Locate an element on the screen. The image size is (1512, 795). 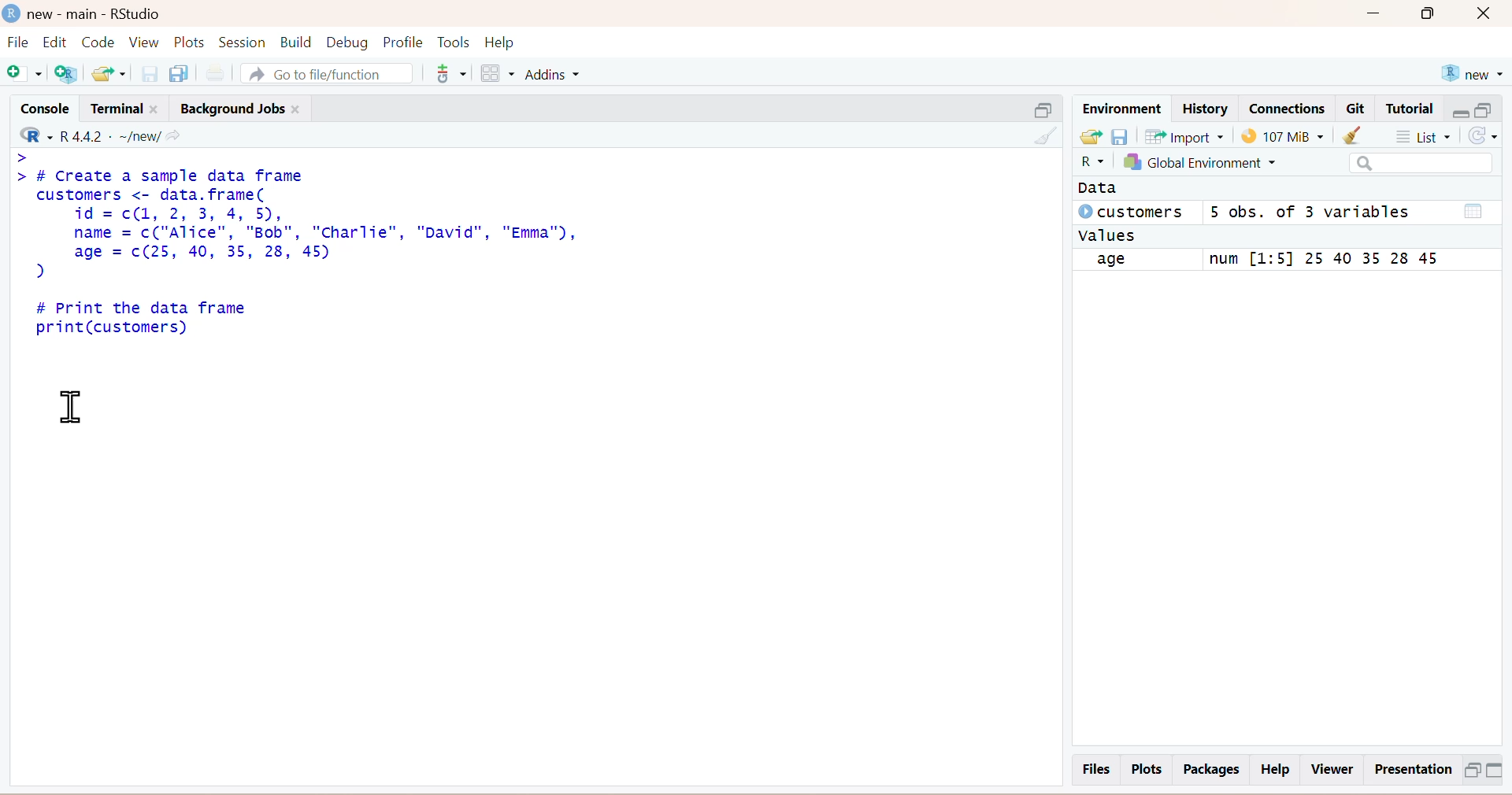
Terminal is located at coordinates (122, 106).